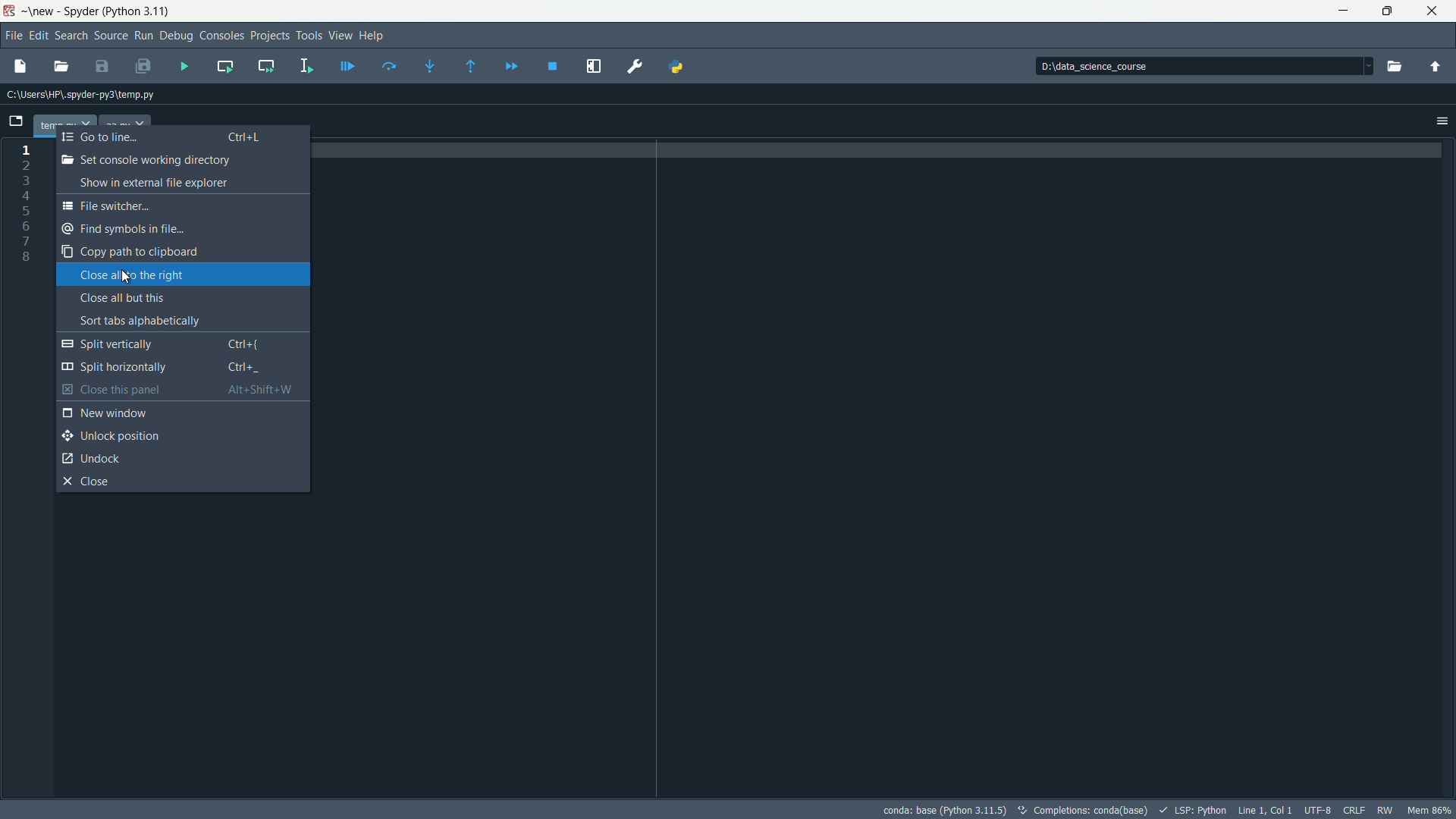  What do you see at coordinates (271, 36) in the screenshot?
I see `projects menu` at bounding box center [271, 36].